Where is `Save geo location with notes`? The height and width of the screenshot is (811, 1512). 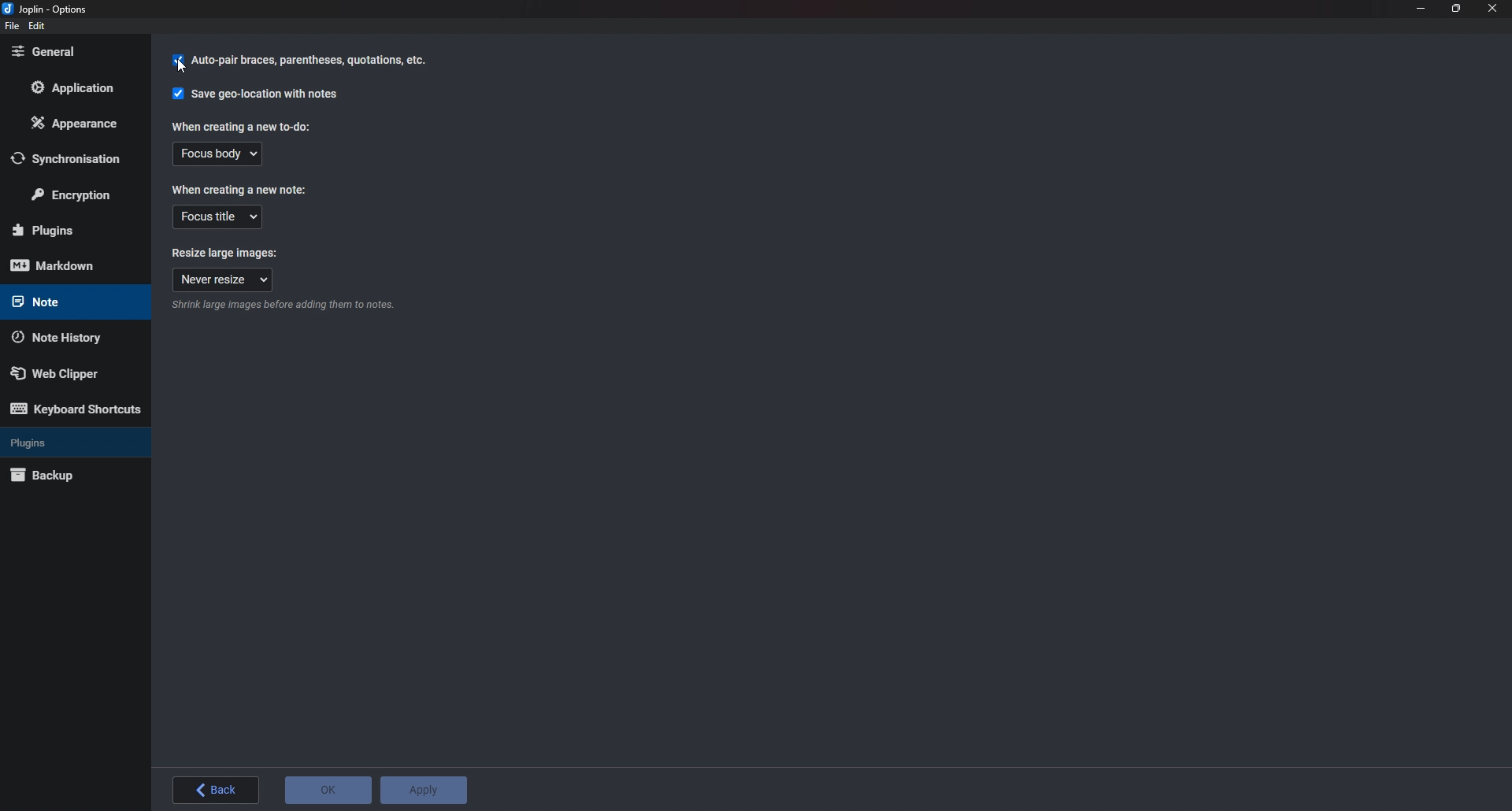 Save geo location with notes is located at coordinates (258, 94).